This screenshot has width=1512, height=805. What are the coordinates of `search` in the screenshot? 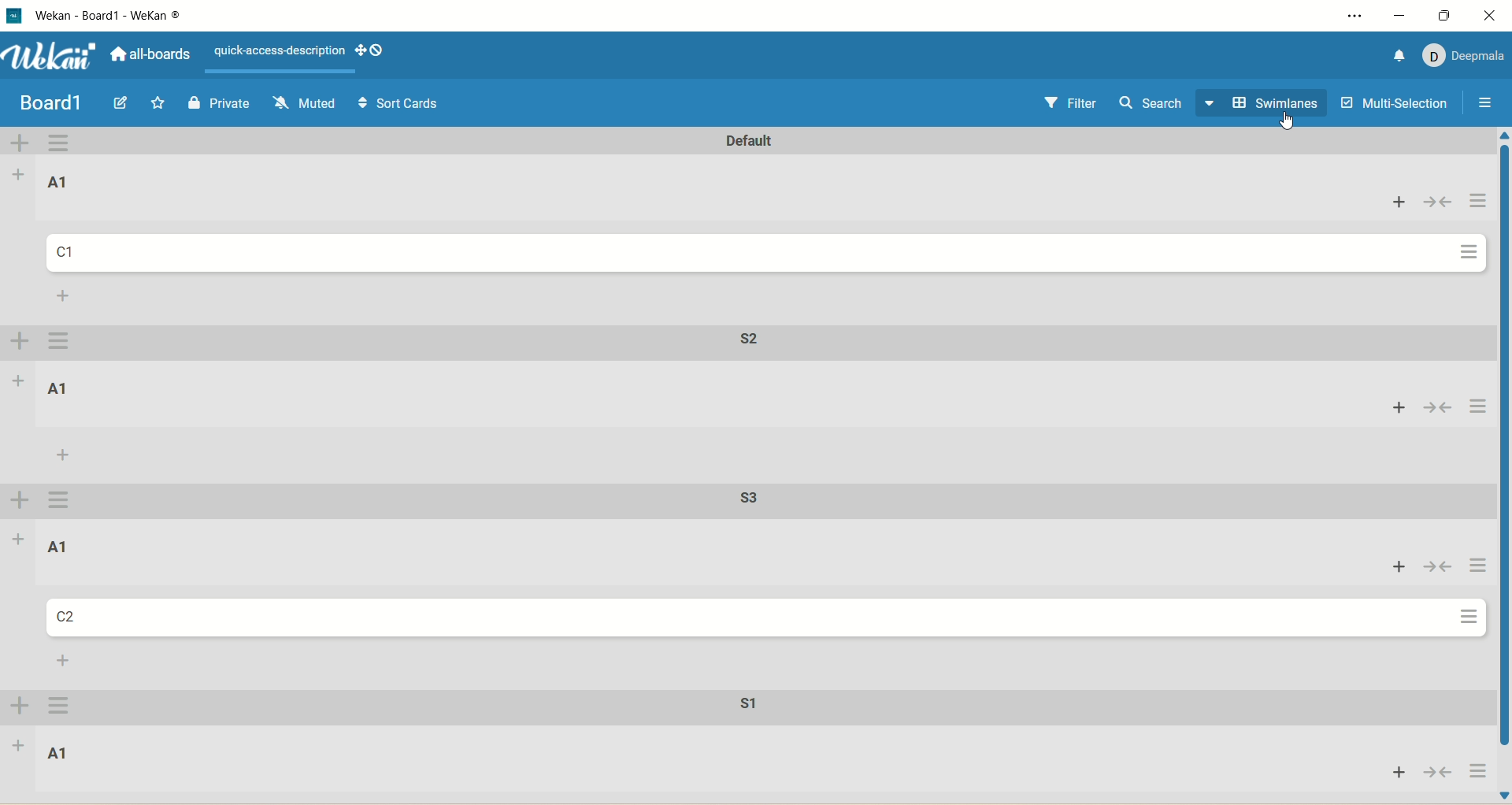 It's located at (1153, 107).